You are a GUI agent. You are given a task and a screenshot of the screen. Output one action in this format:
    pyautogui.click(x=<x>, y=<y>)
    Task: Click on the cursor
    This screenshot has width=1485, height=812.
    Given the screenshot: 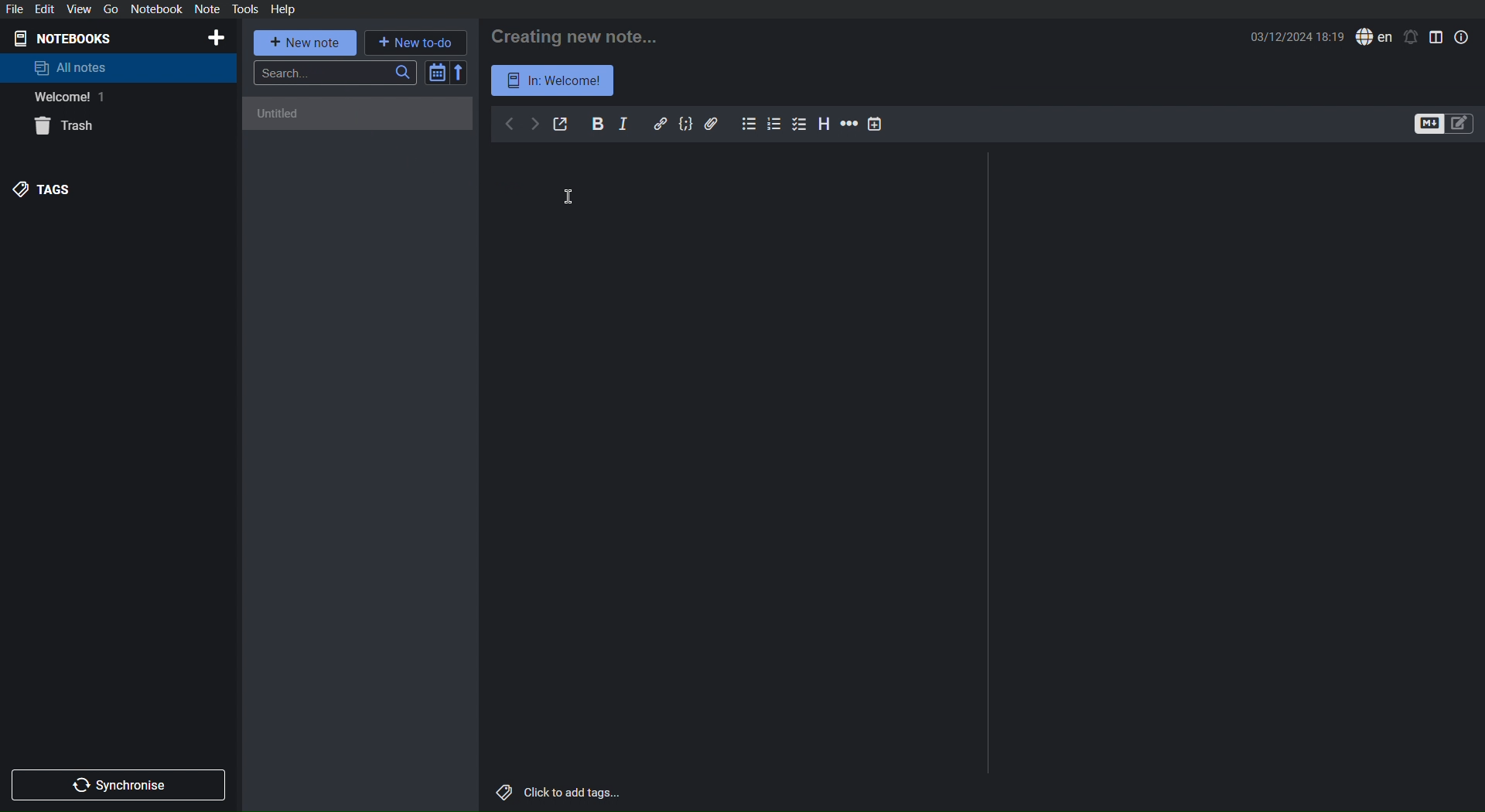 What is the action you would take?
    pyautogui.click(x=566, y=196)
    